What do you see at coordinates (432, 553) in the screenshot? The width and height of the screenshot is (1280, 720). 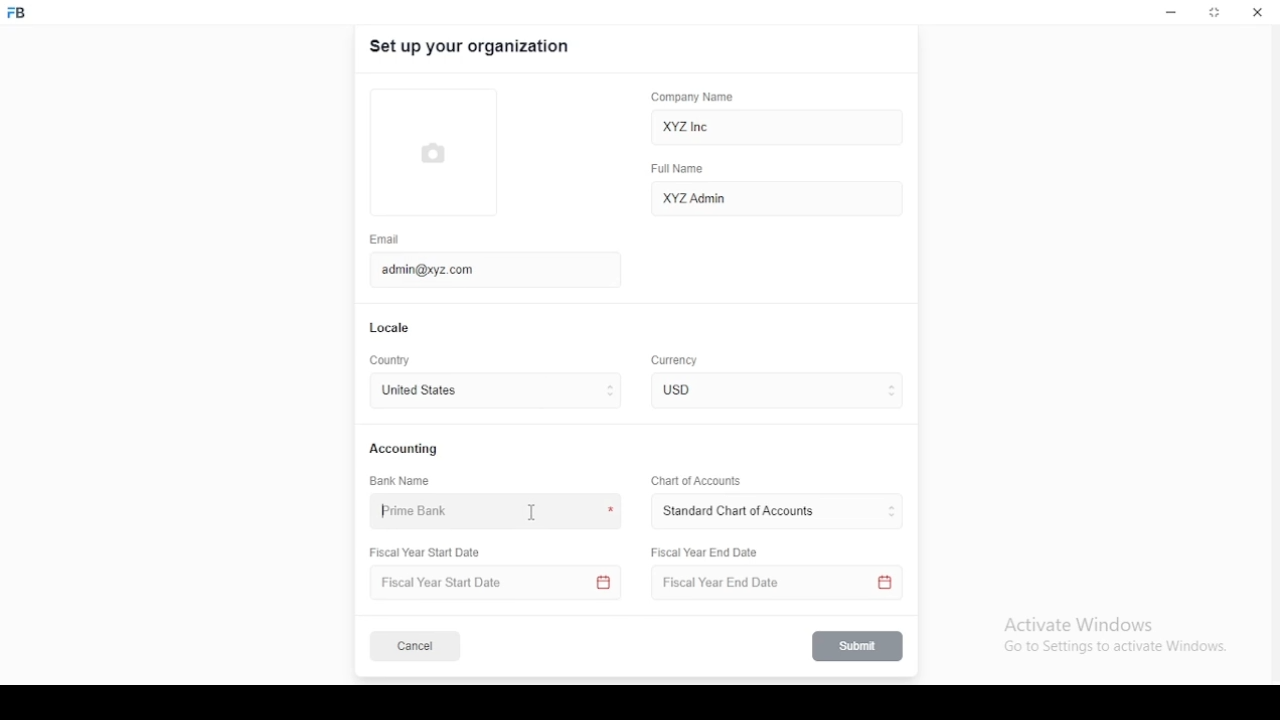 I see `Fiscal Year Start Date` at bounding box center [432, 553].